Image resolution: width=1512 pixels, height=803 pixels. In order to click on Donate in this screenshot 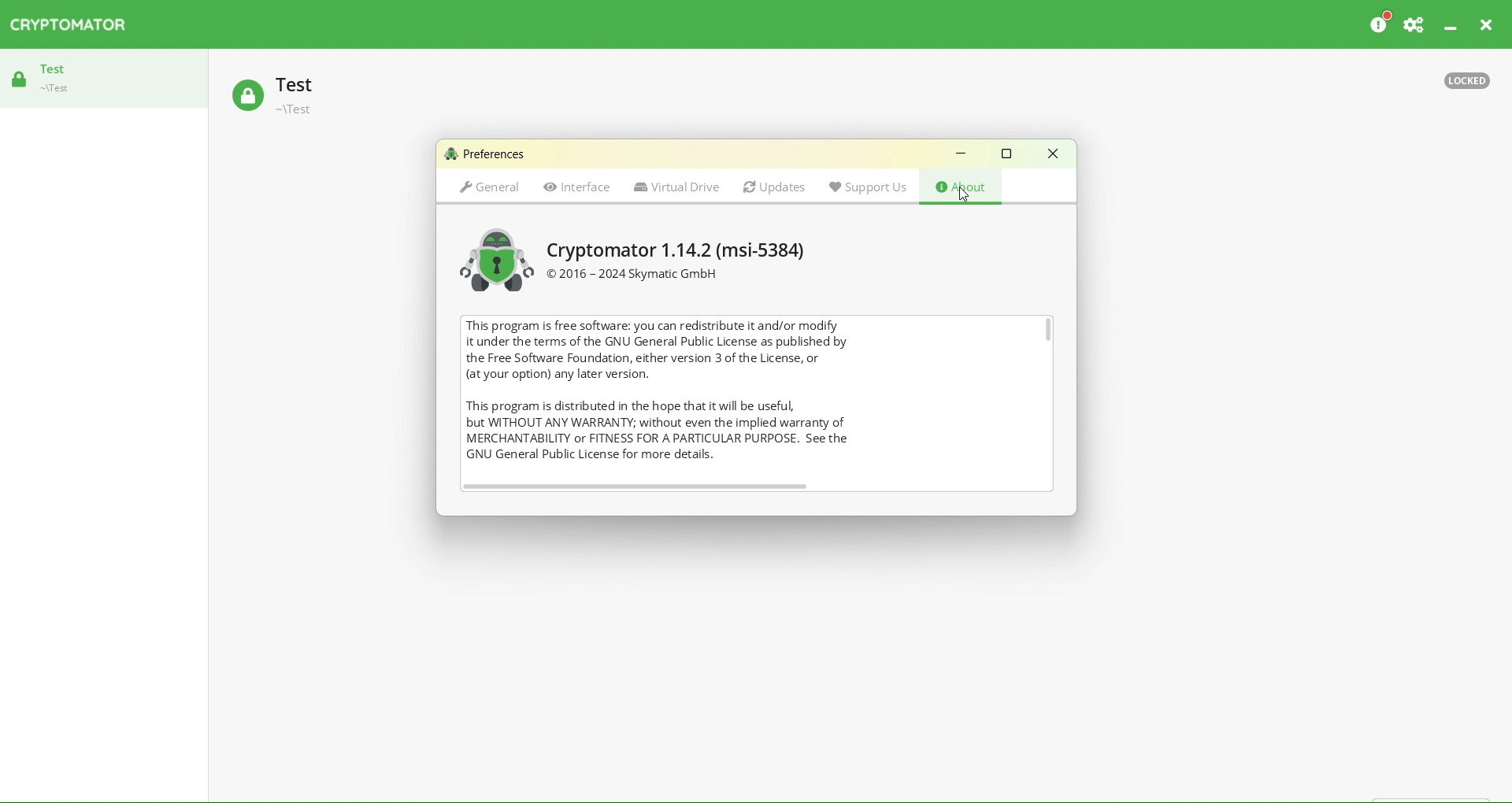, I will do `click(1383, 24)`.